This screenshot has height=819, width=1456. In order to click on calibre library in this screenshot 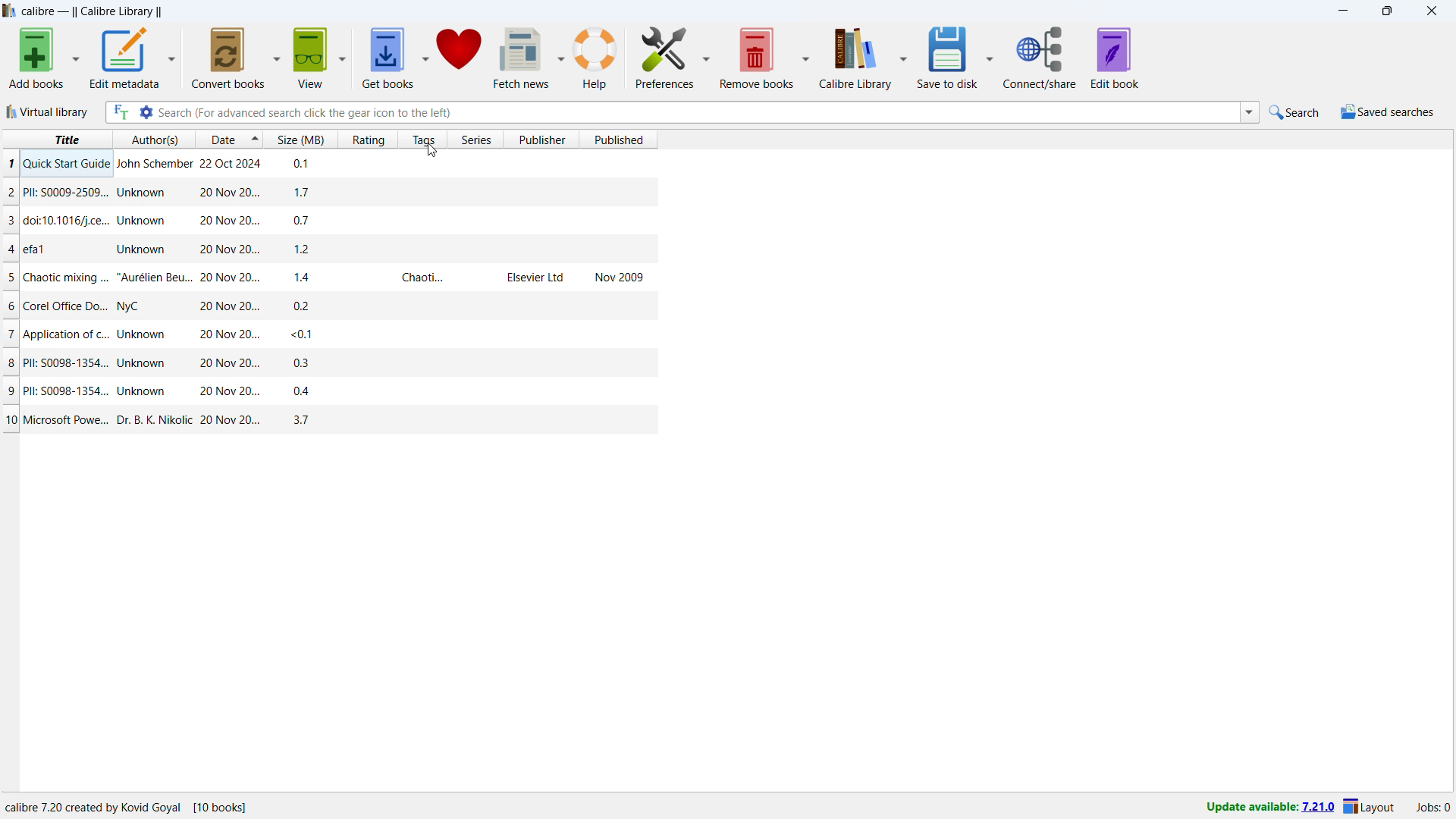, I will do `click(856, 58)`.